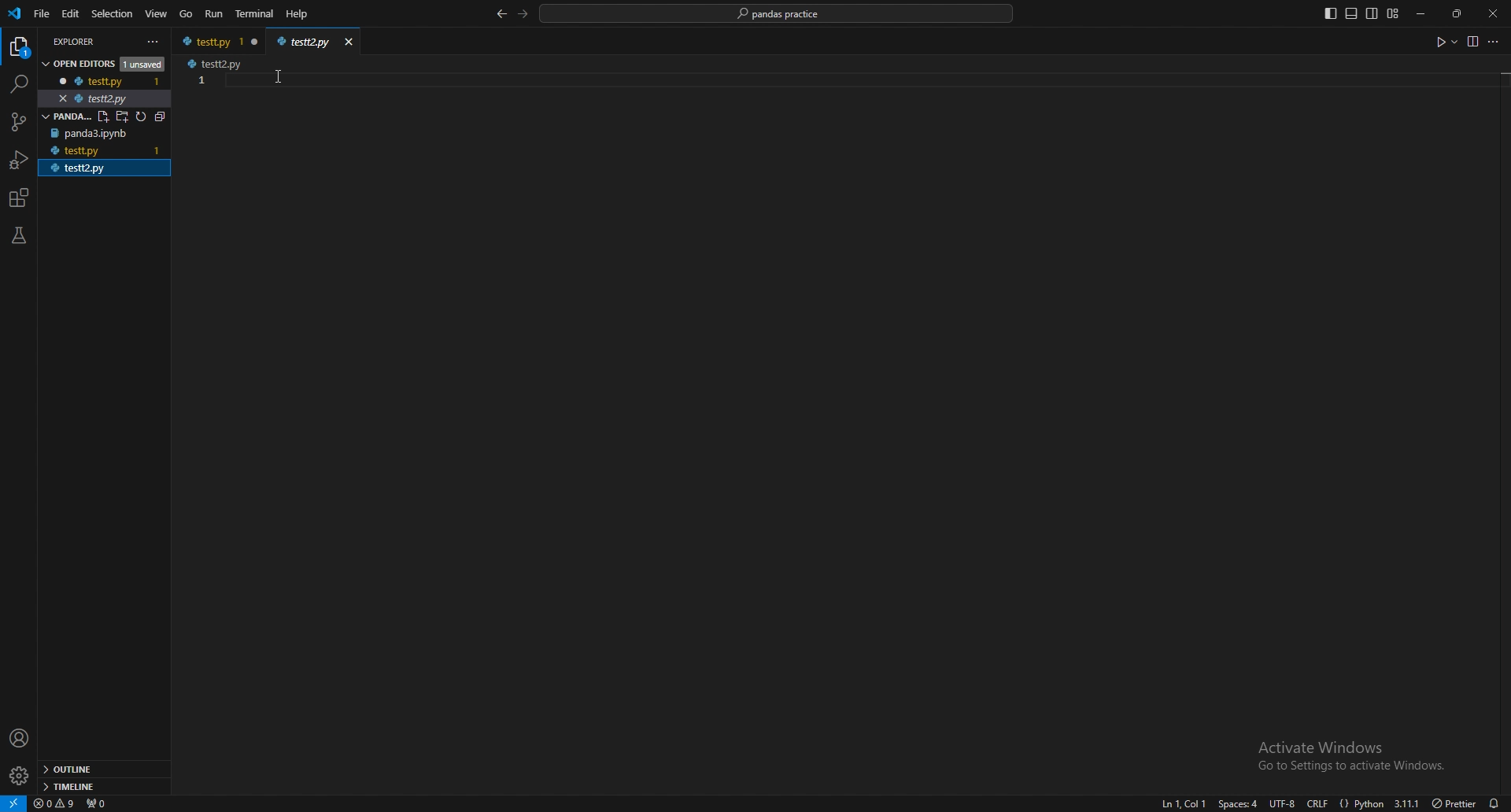 This screenshot has width=1511, height=812. What do you see at coordinates (20, 160) in the screenshot?
I see `run and debug` at bounding box center [20, 160].